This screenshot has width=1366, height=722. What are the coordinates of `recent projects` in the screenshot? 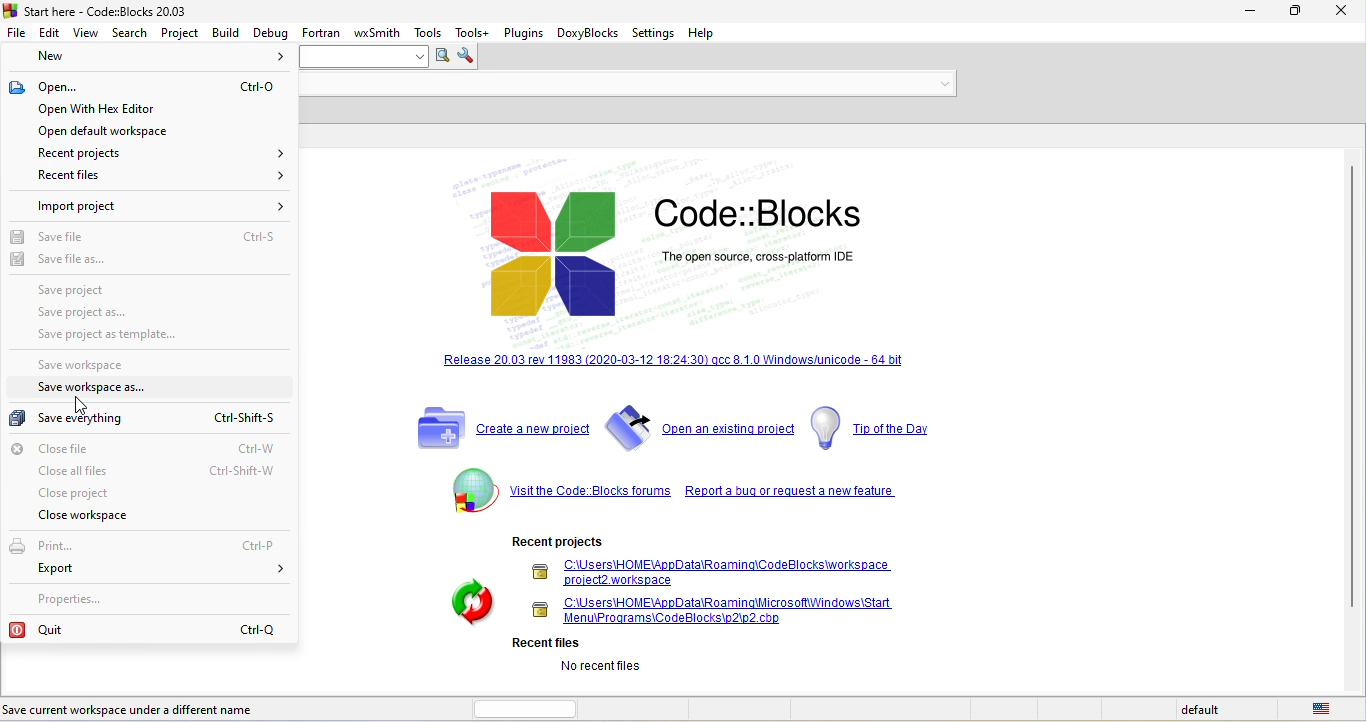 It's located at (154, 152).